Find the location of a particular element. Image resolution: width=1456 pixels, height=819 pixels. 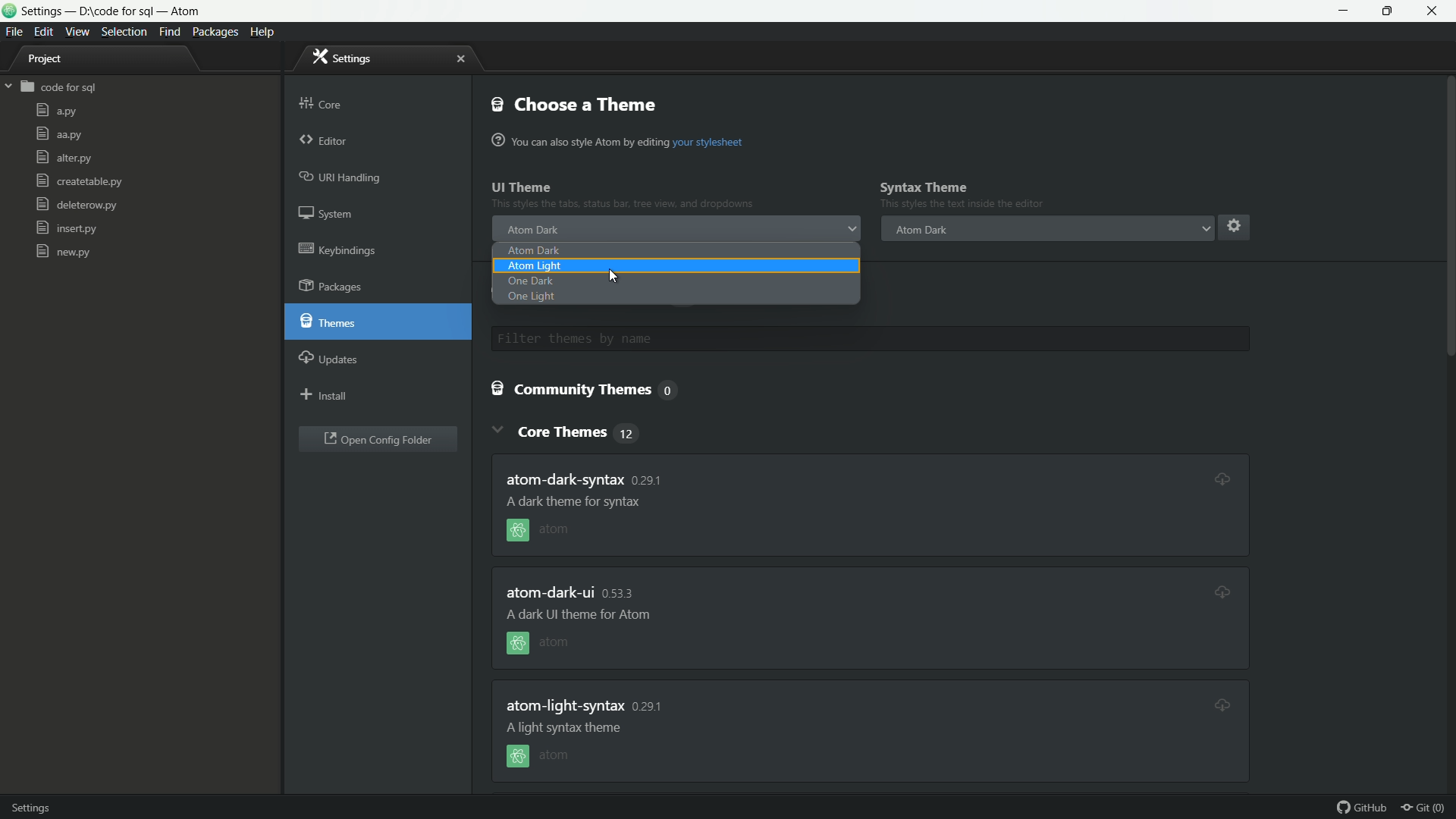

ui theme is located at coordinates (522, 188).